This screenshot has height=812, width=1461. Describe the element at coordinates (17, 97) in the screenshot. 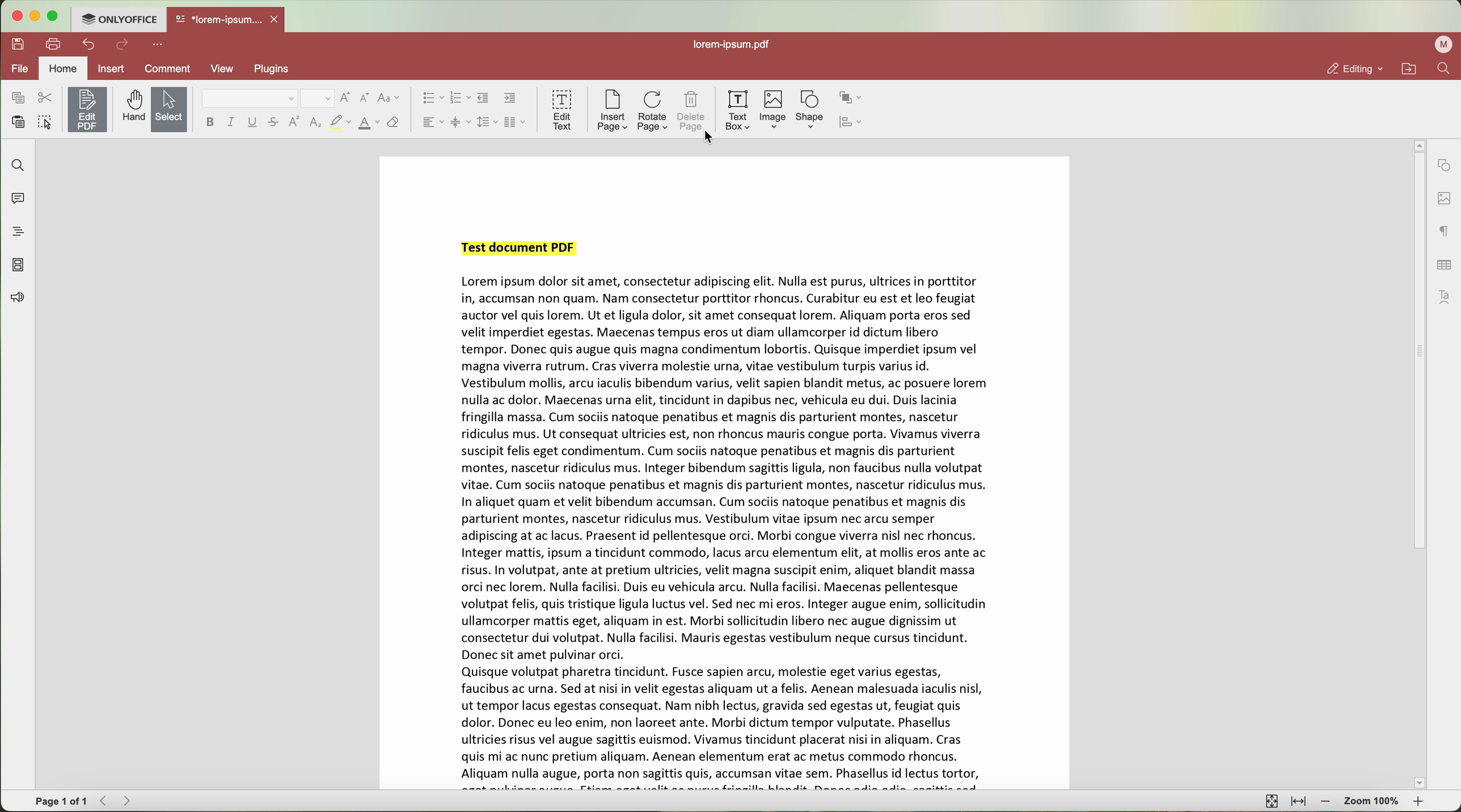

I see `copy` at that location.